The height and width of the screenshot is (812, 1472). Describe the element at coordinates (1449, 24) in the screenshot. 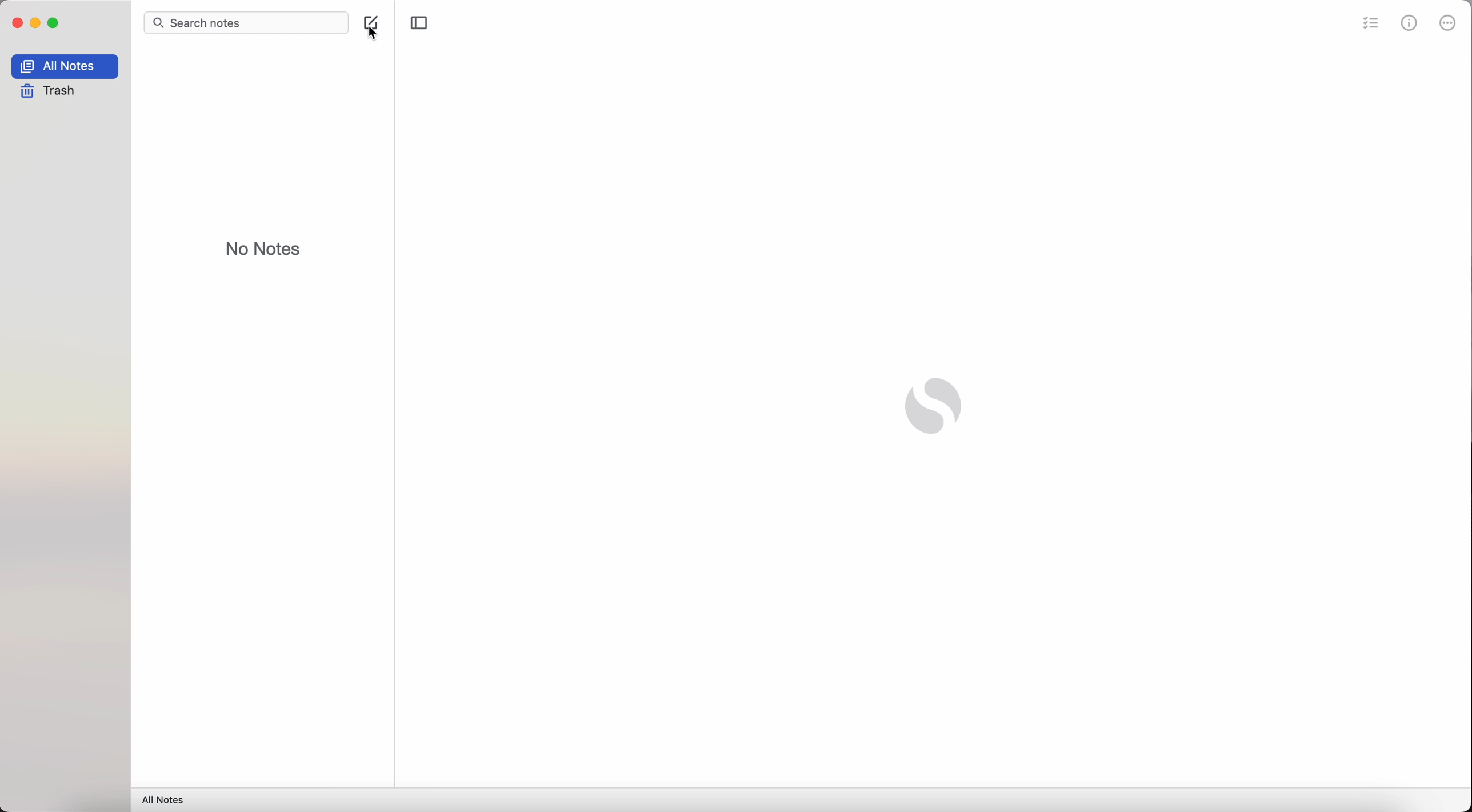

I see `more options` at that location.